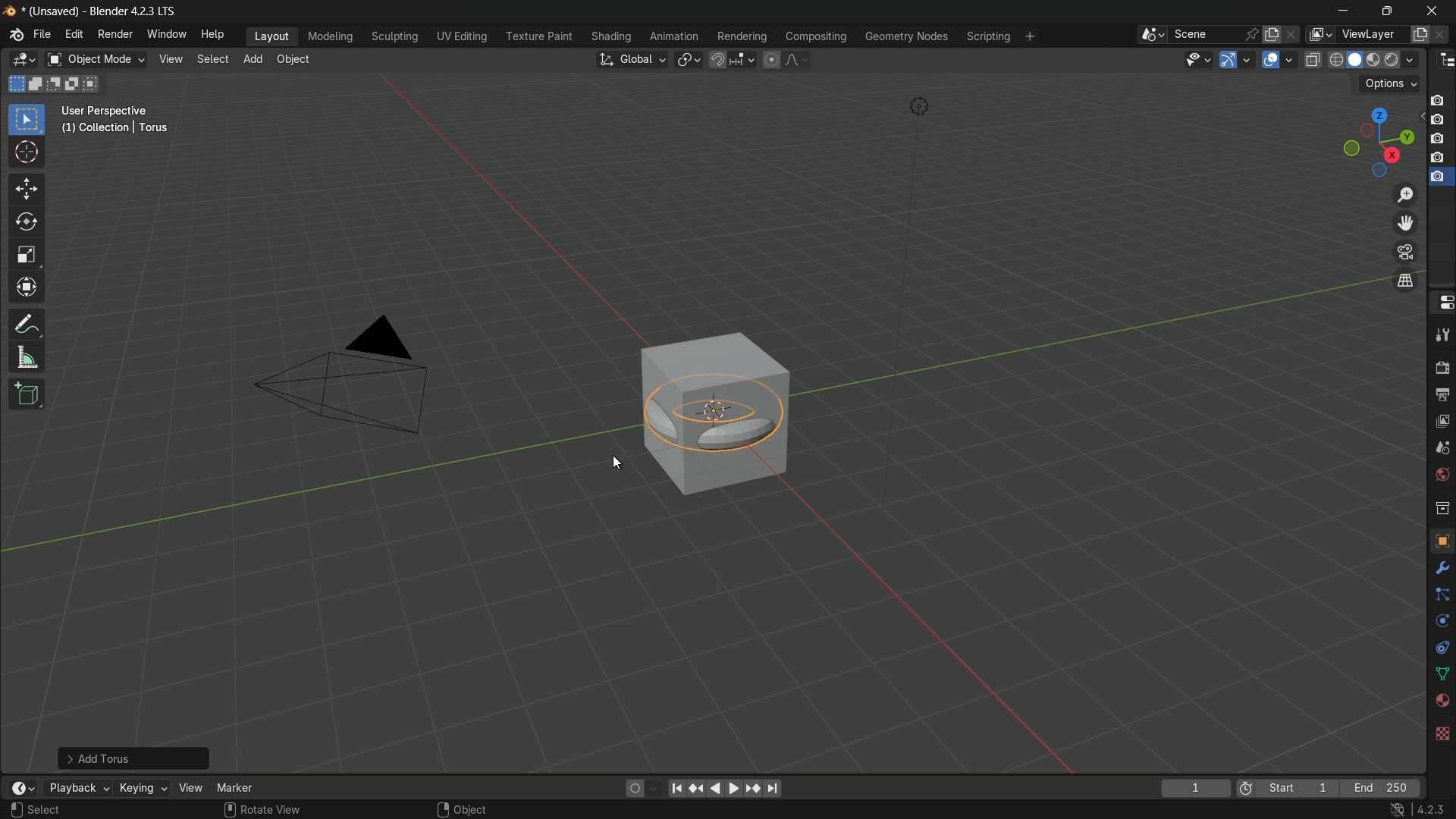 The width and height of the screenshot is (1456, 819). I want to click on animation, so click(674, 36).